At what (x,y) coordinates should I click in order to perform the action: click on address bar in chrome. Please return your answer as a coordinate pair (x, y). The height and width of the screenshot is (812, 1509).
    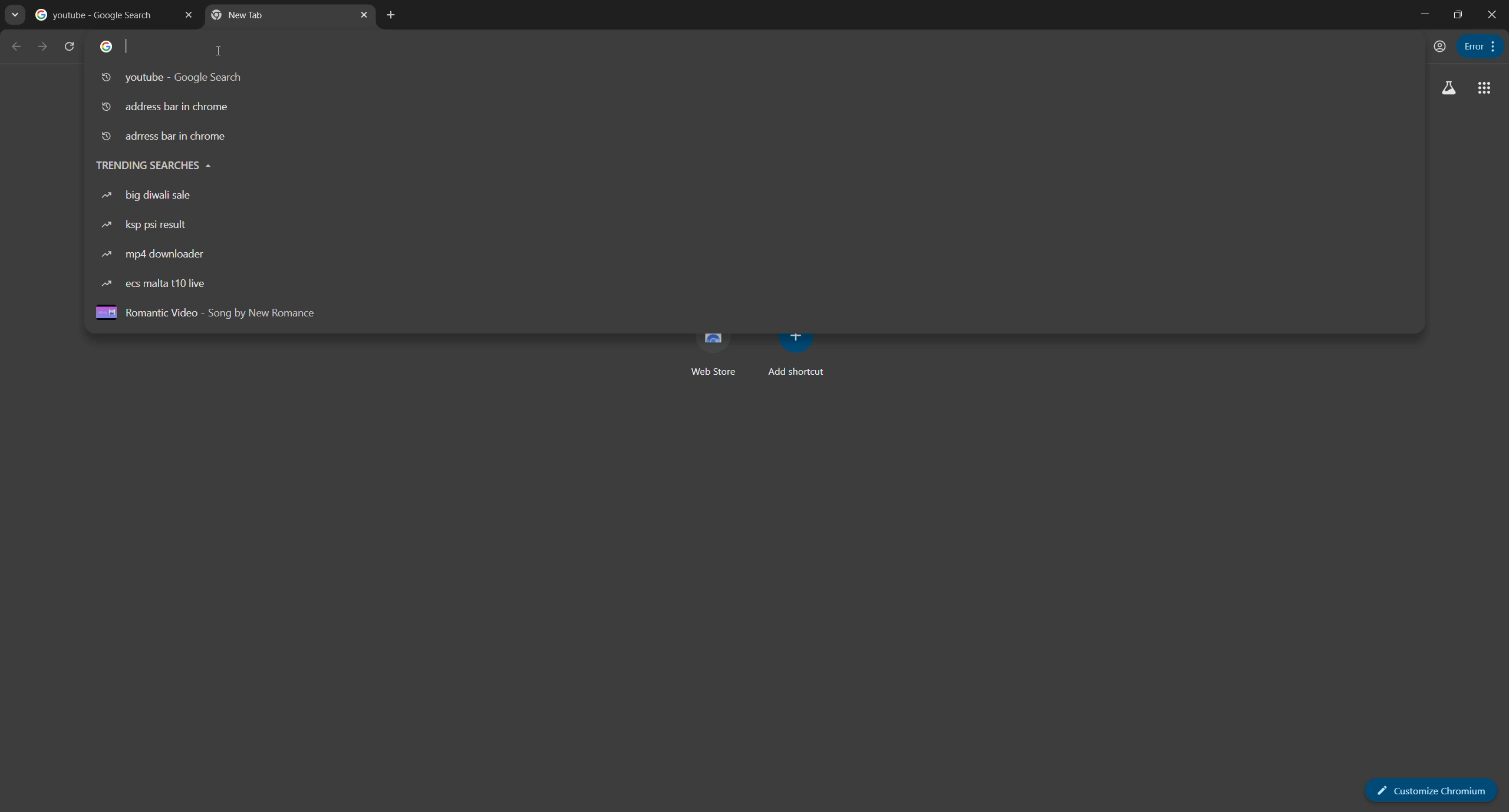
    Looking at the image, I should click on (164, 137).